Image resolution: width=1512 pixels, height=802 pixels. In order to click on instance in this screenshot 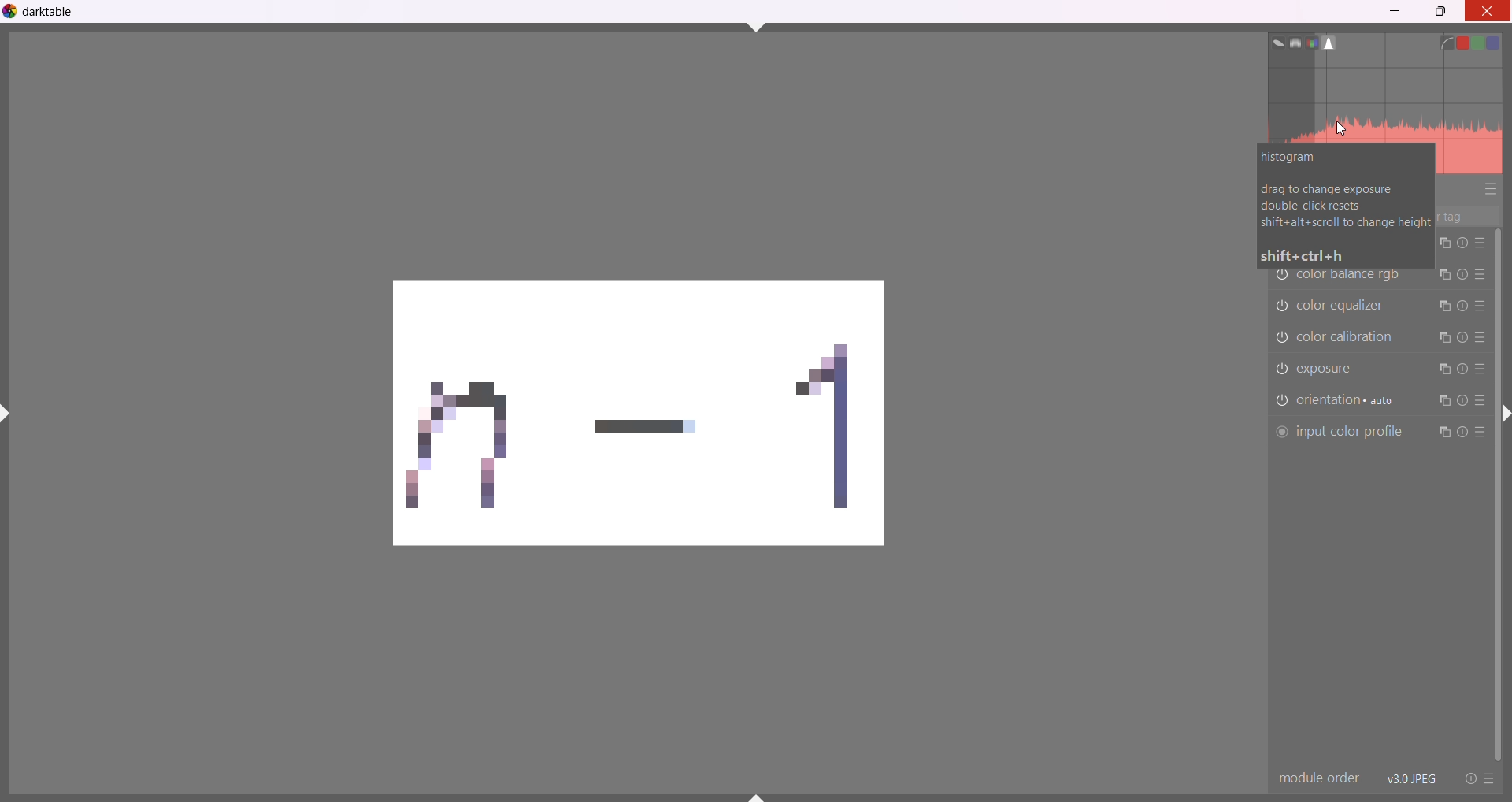, I will do `click(1443, 244)`.